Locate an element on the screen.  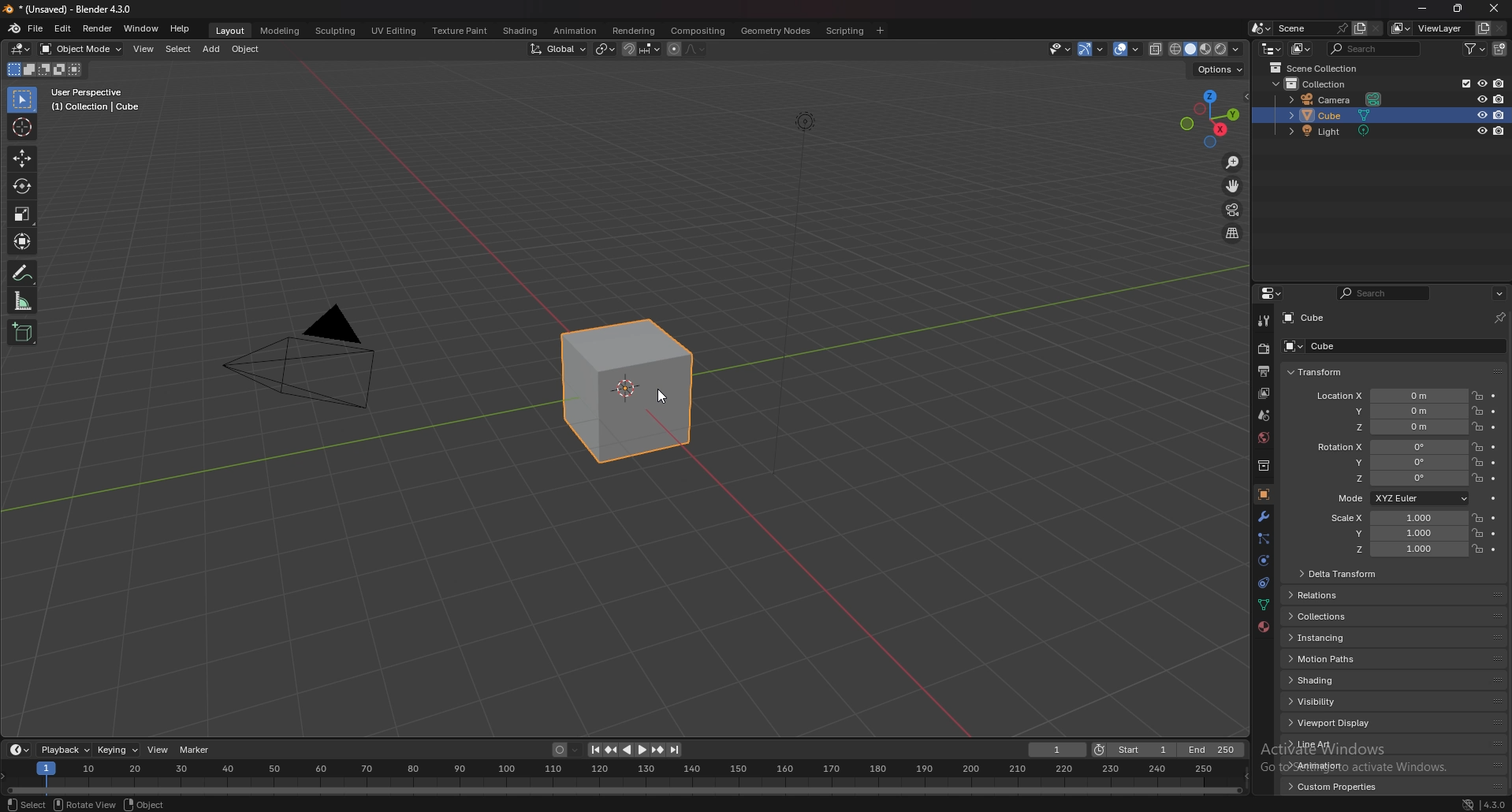
collection is located at coordinates (1264, 466).